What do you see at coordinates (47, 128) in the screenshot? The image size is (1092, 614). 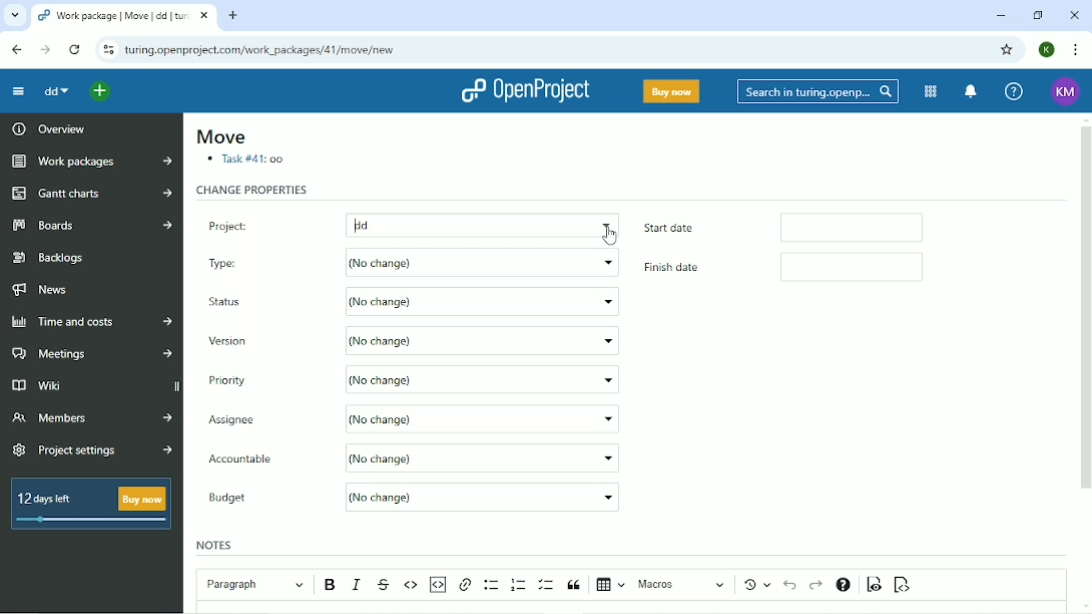 I see `Overview` at bounding box center [47, 128].